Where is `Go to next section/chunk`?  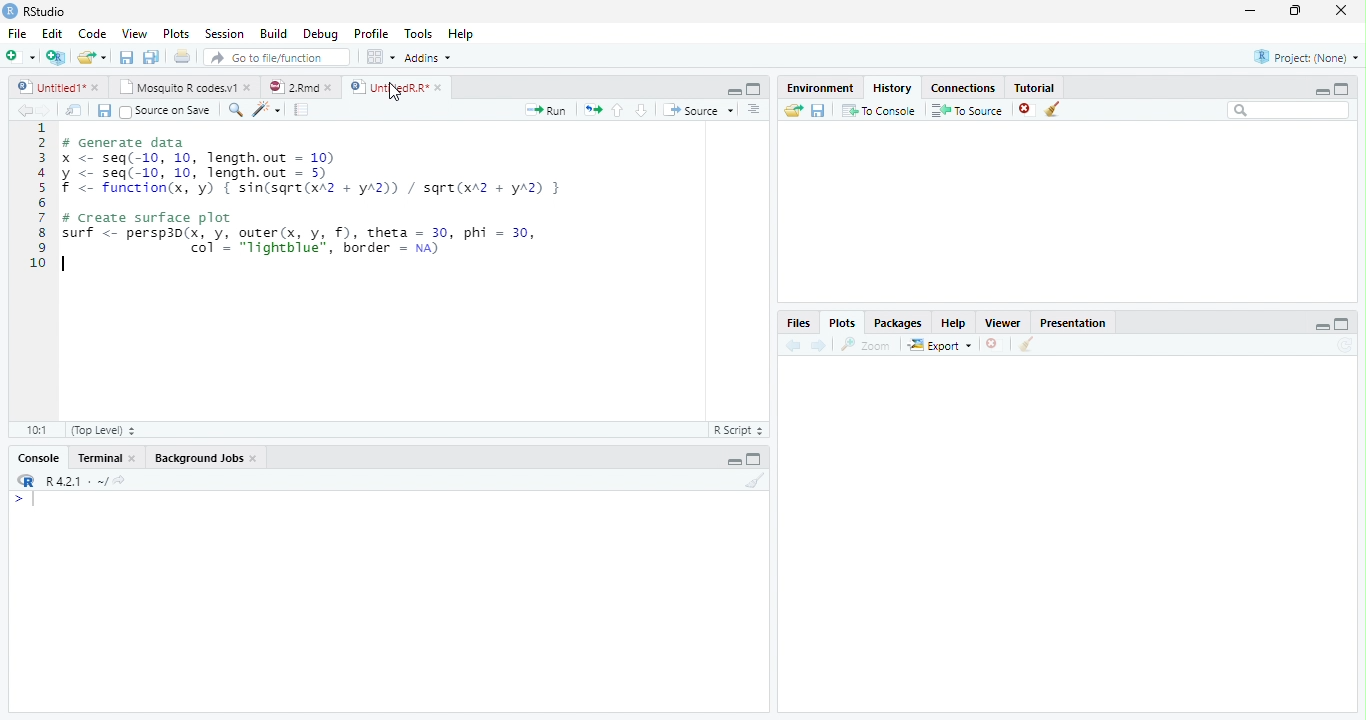
Go to next section/chunk is located at coordinates (641, 109).